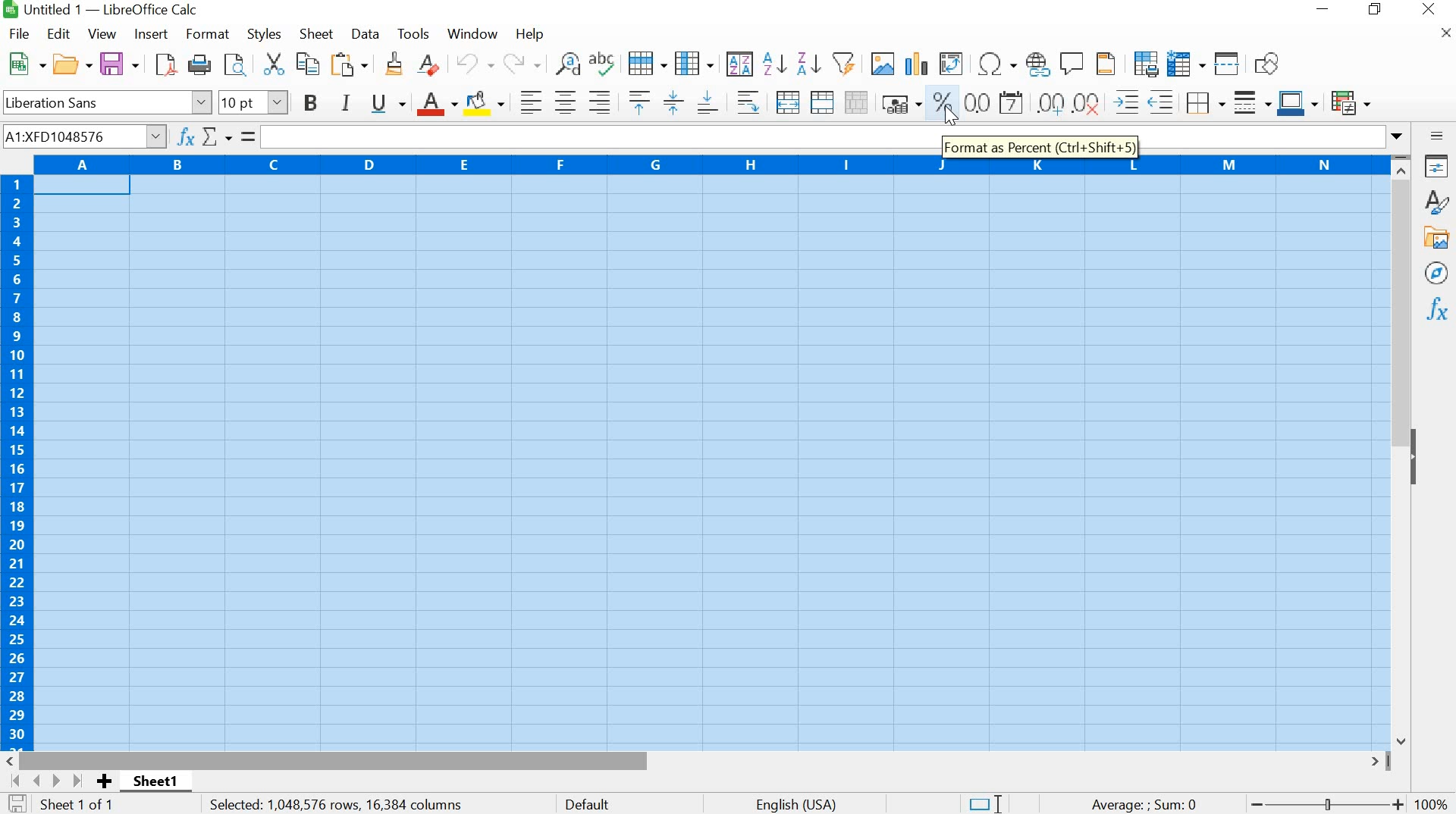 Image resolution: width=1456 pixels, height=814 pixels. What do you see at coordinates (1437, 169) in the screenshot?
I see `Properties` at bounding box center [1437, 169].